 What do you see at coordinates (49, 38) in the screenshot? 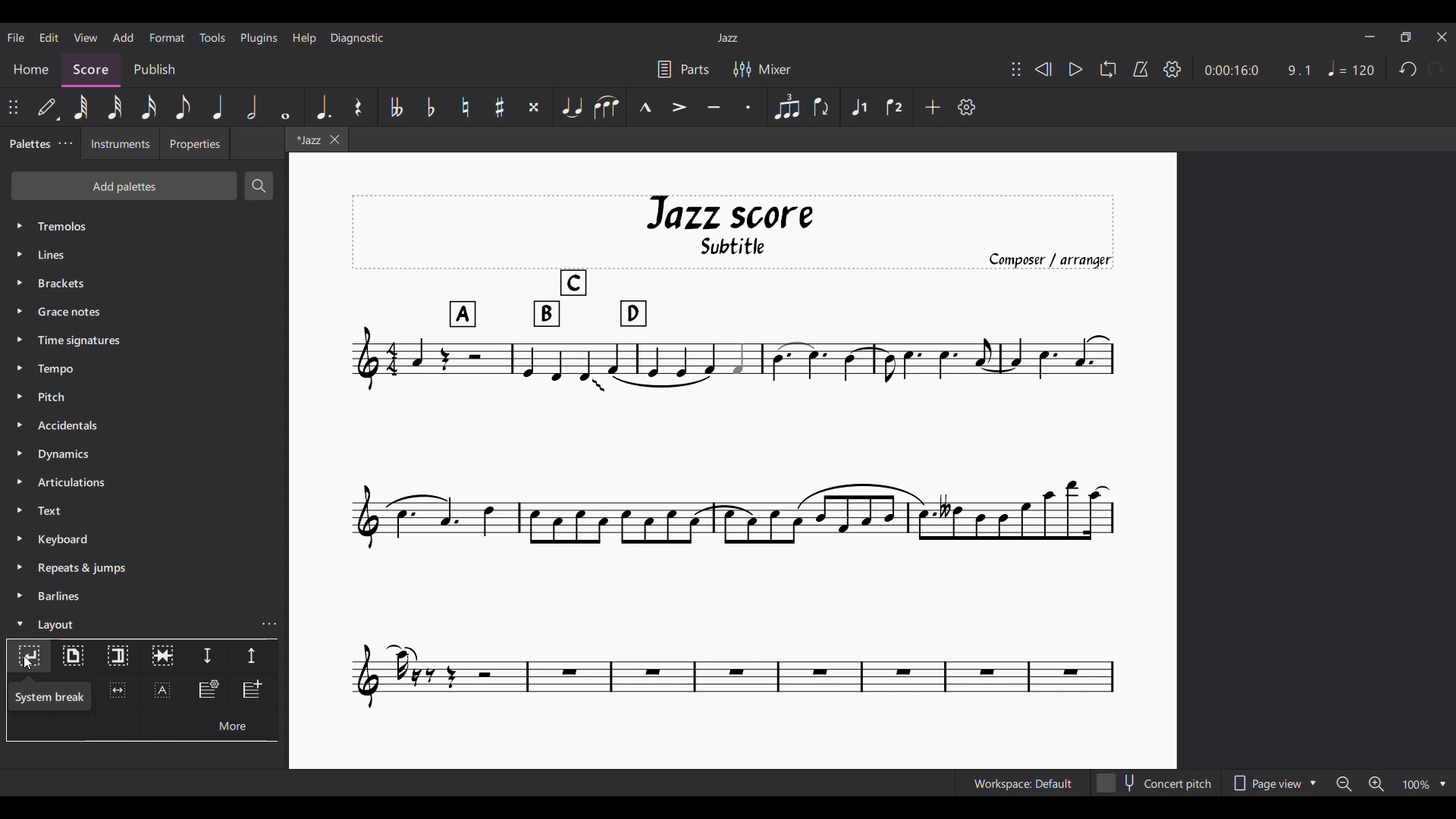
I see `Edit menu` at bounding box center [49, 38].